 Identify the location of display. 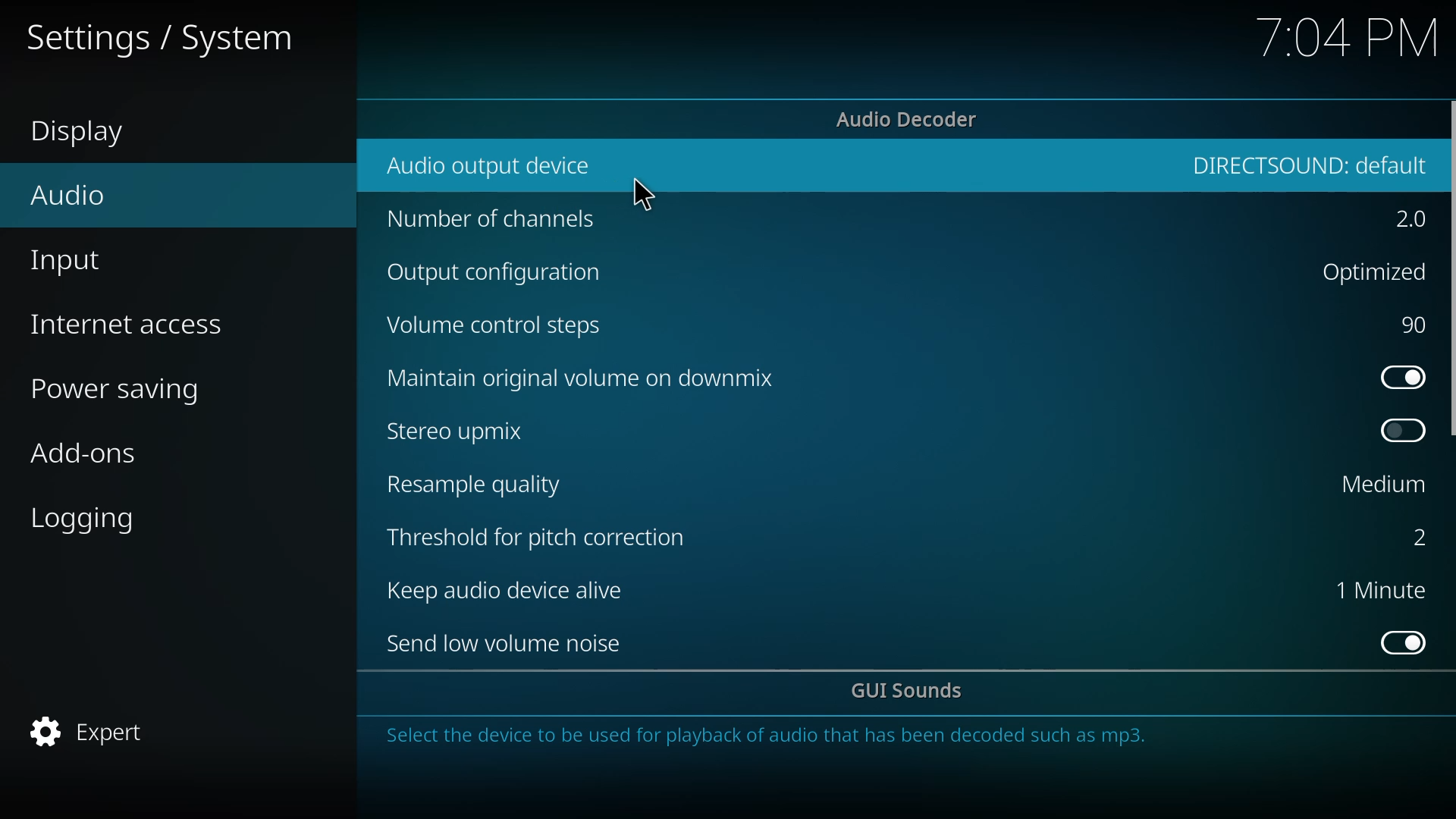
(87, 133).